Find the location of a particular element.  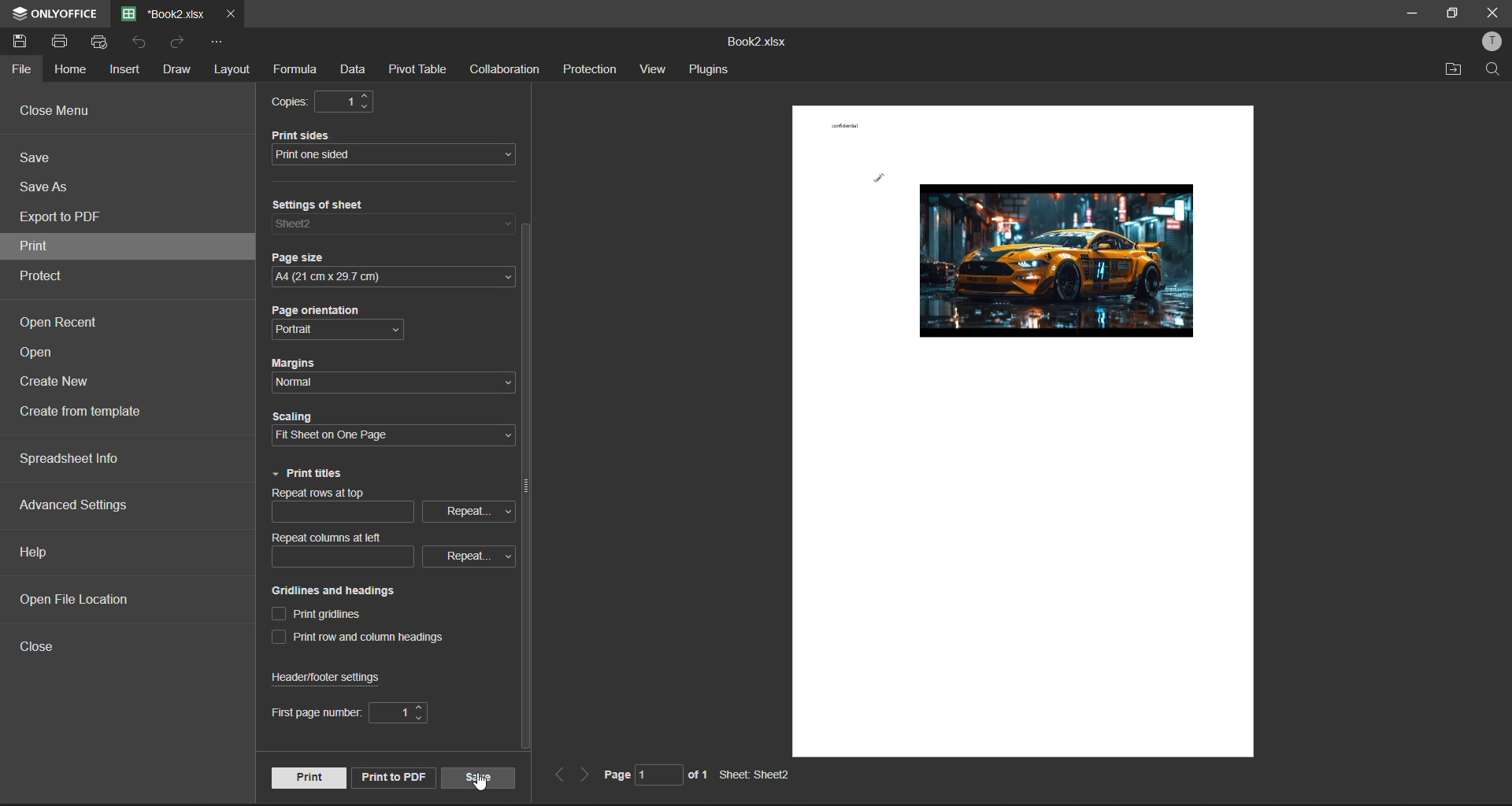

profile is located at coordinates (1488, 43).